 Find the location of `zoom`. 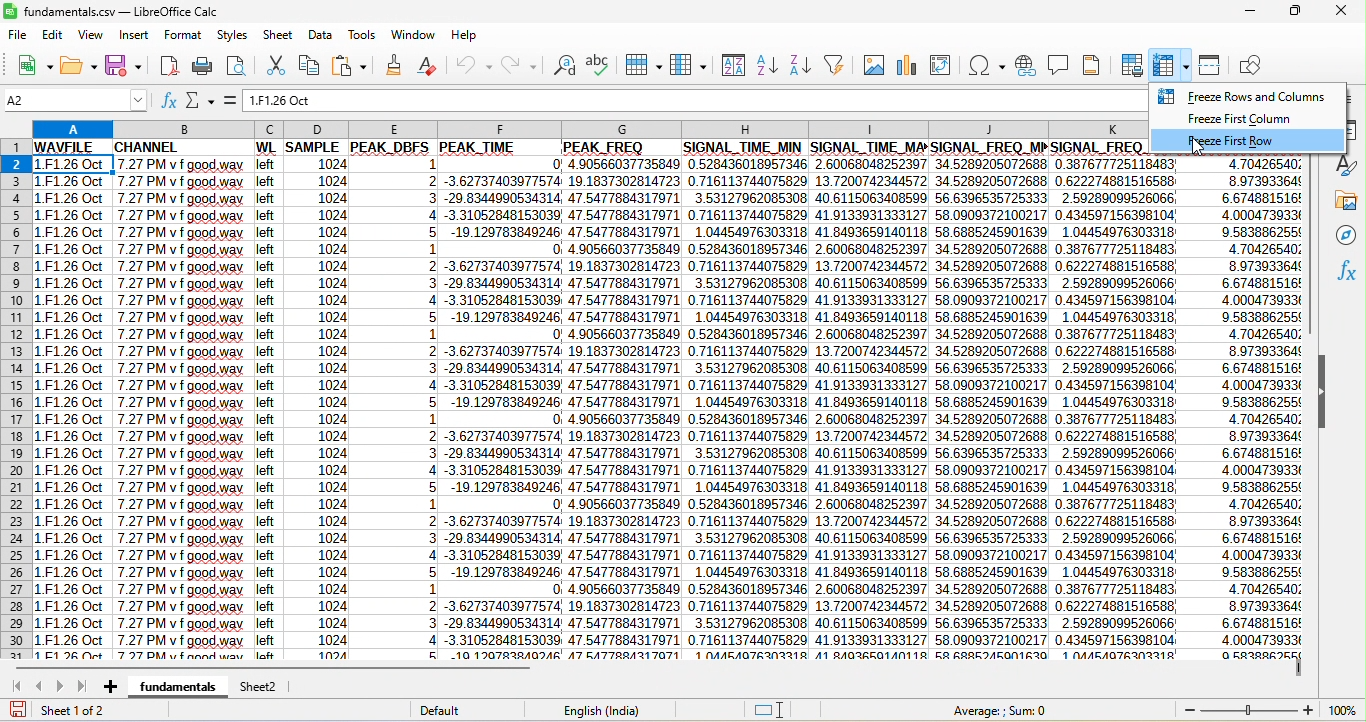

zoom is located at coordinates (1265, 710).